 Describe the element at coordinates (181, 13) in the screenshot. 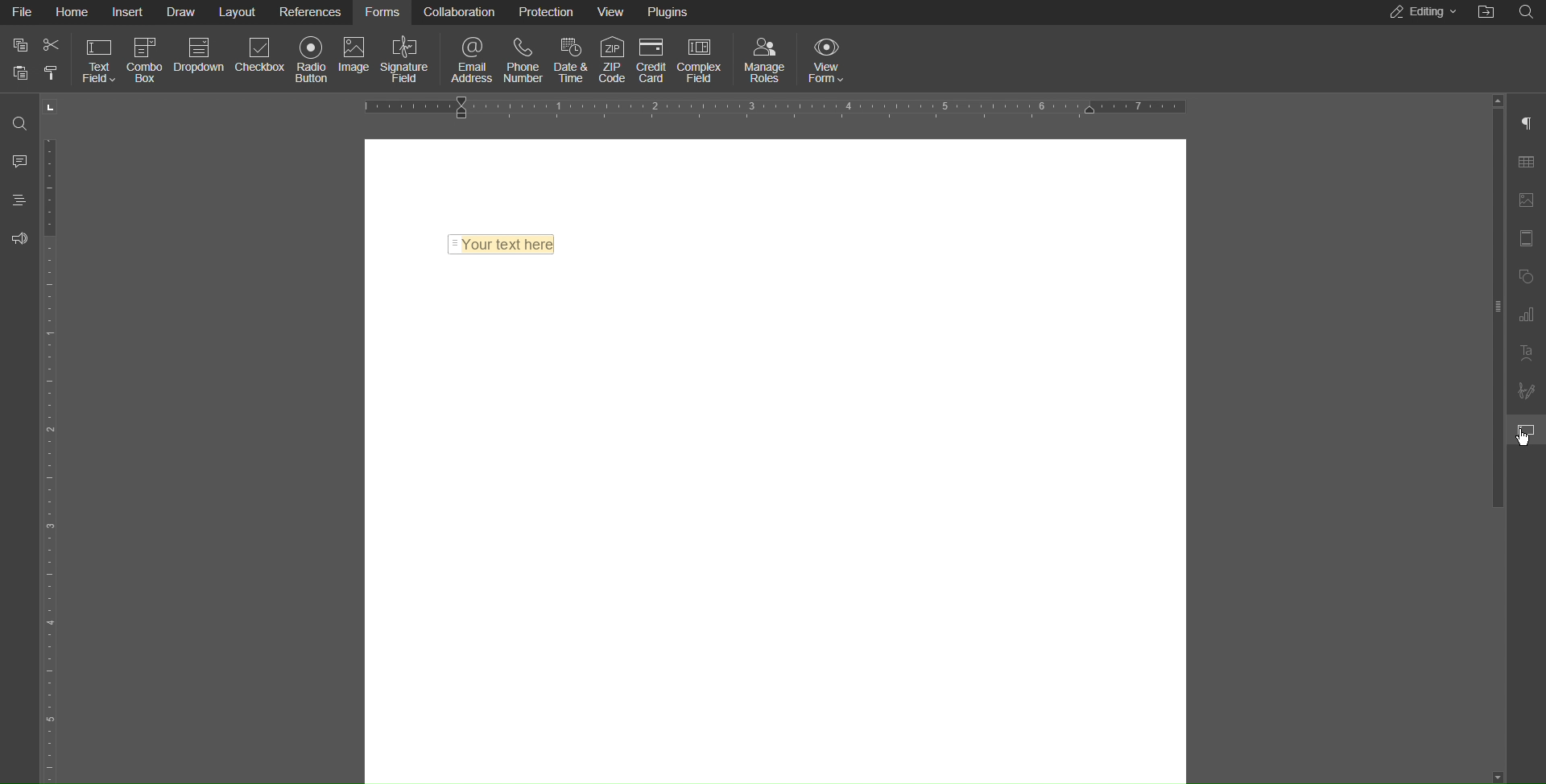

I see `Draw` at that location.